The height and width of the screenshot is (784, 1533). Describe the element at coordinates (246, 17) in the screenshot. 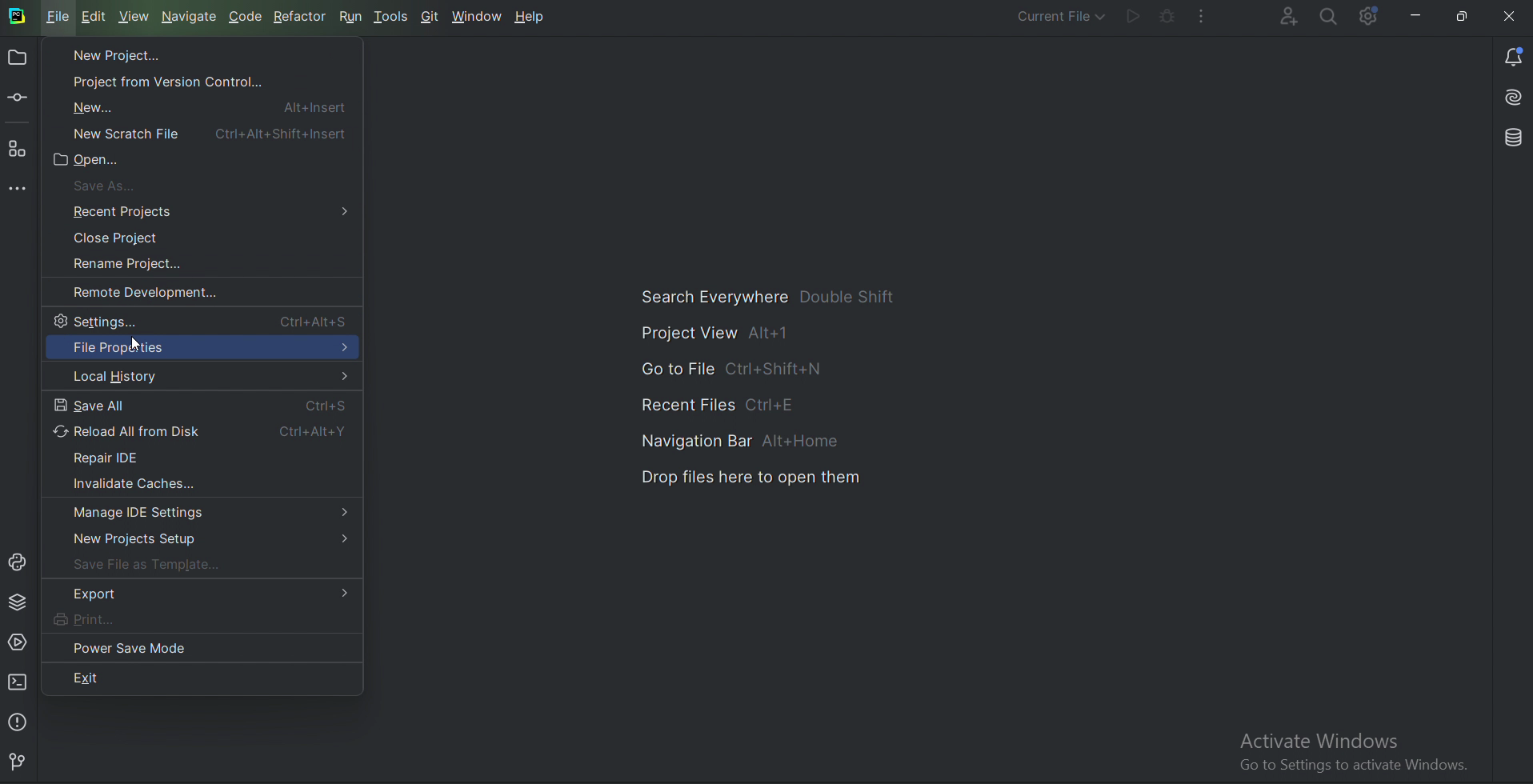

I see `Code` at that location.